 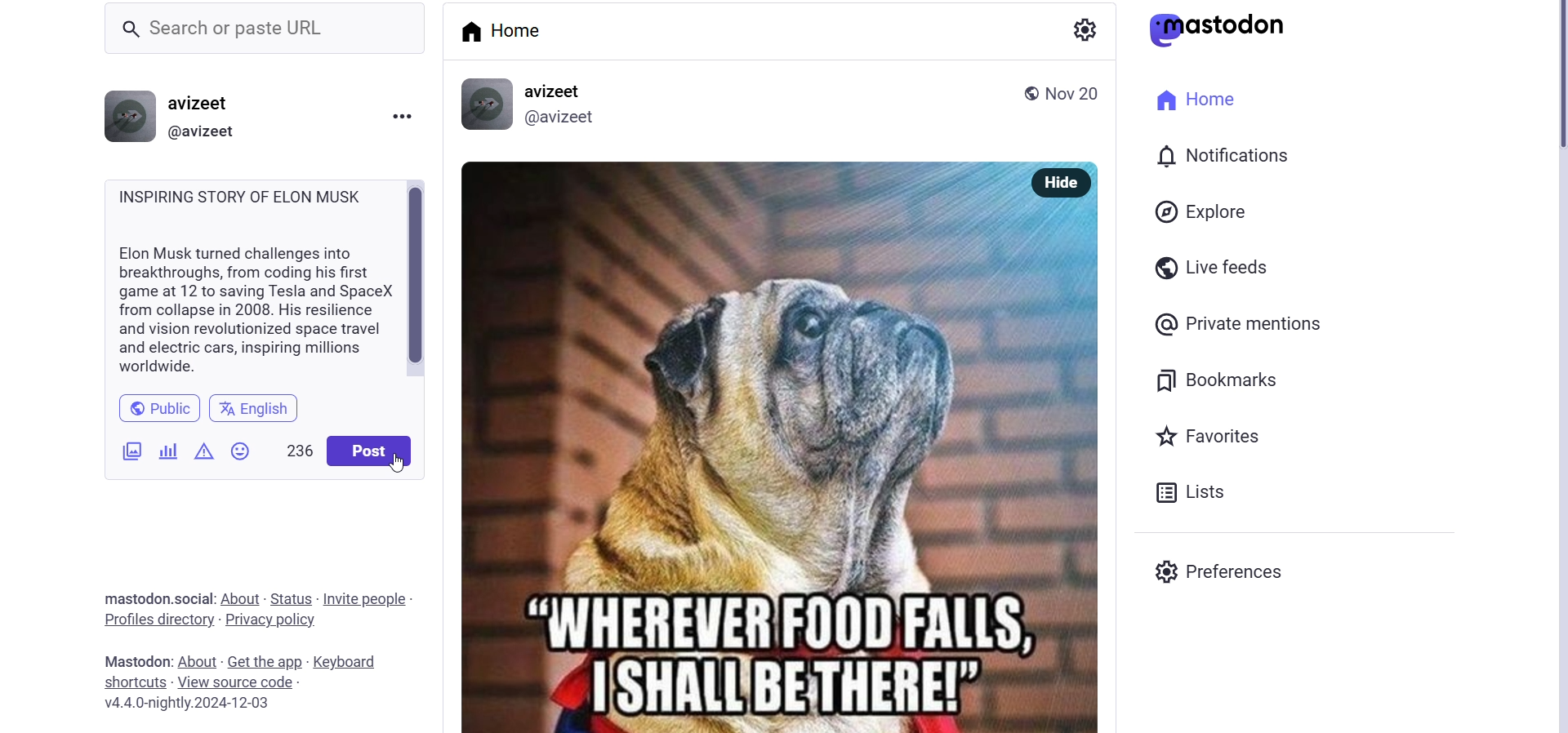 I want to click on emojis, so click(x=241, y=450).